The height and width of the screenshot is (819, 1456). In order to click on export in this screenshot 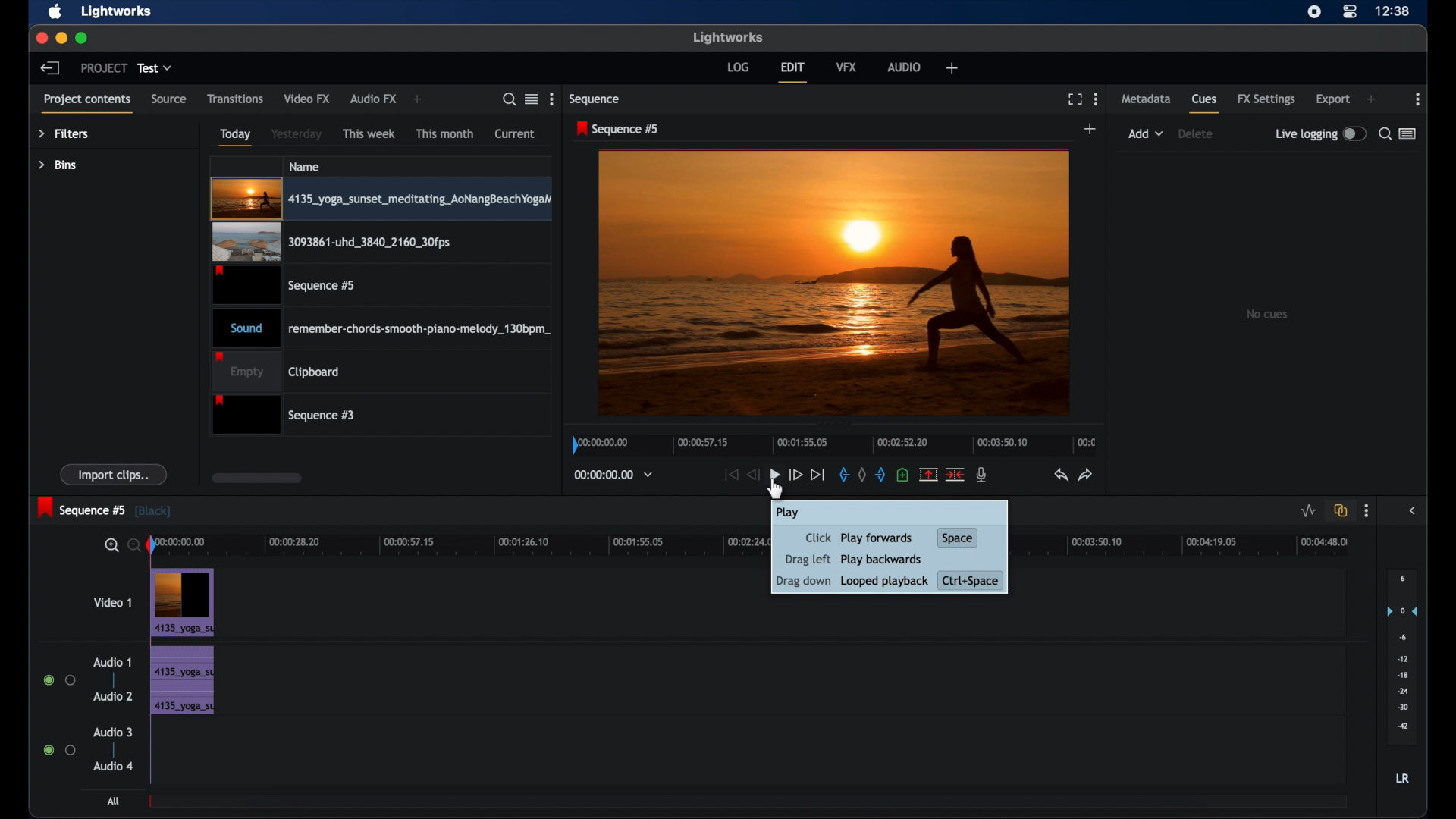, I will do `click(1334, 99)`.